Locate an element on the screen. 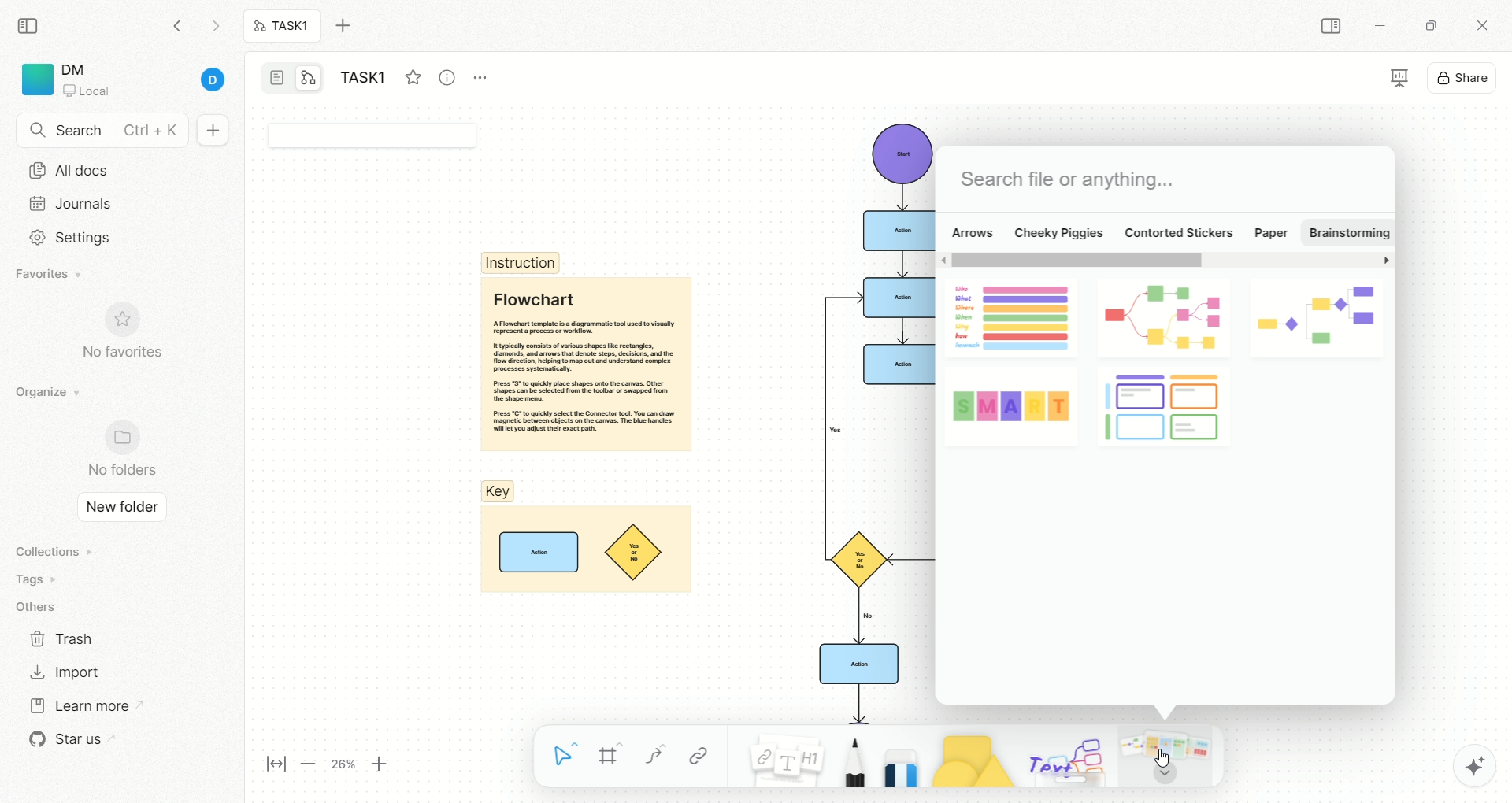  new tab is located at coordinates (352, 26).